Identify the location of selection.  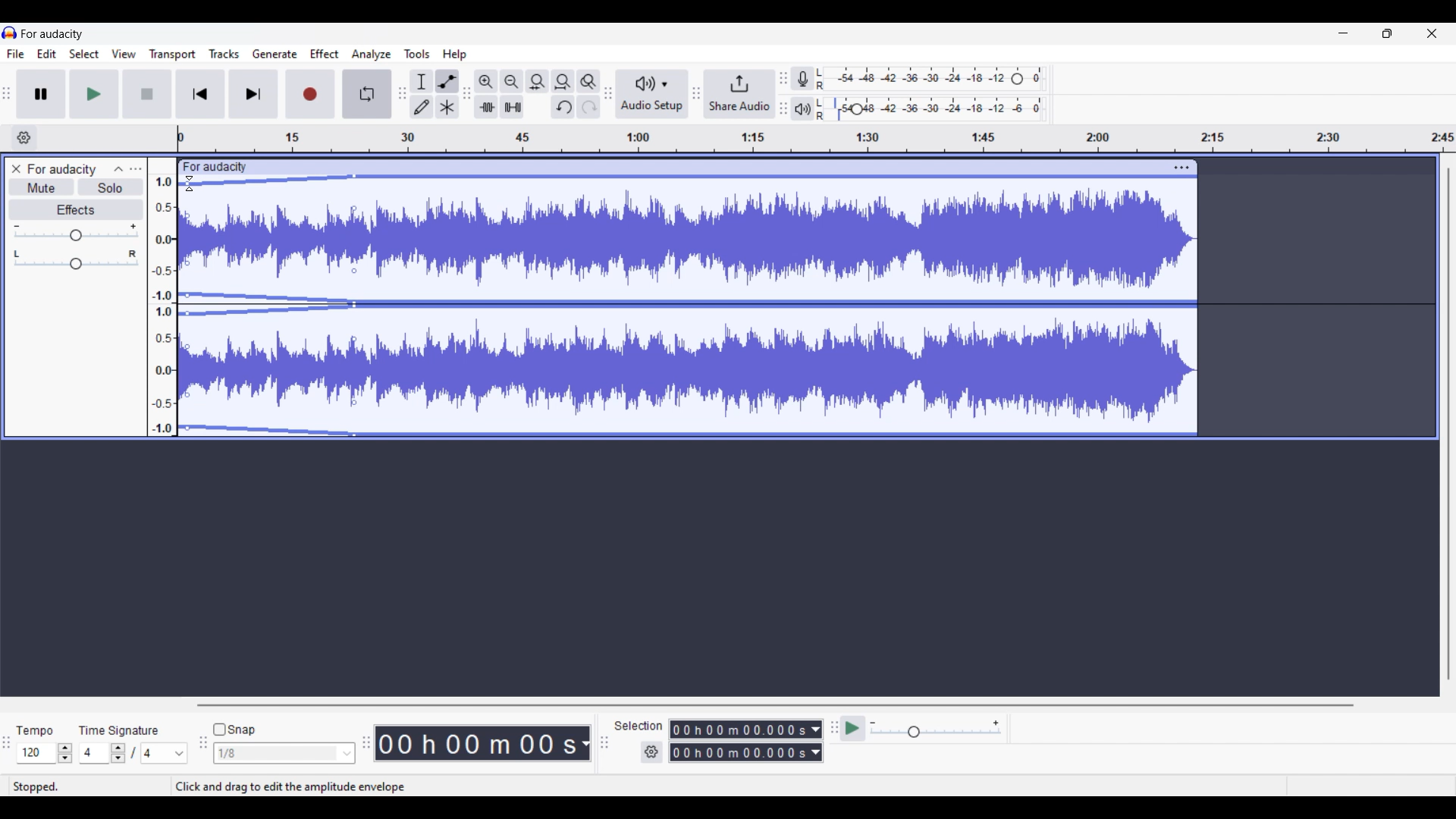
(638, 725).